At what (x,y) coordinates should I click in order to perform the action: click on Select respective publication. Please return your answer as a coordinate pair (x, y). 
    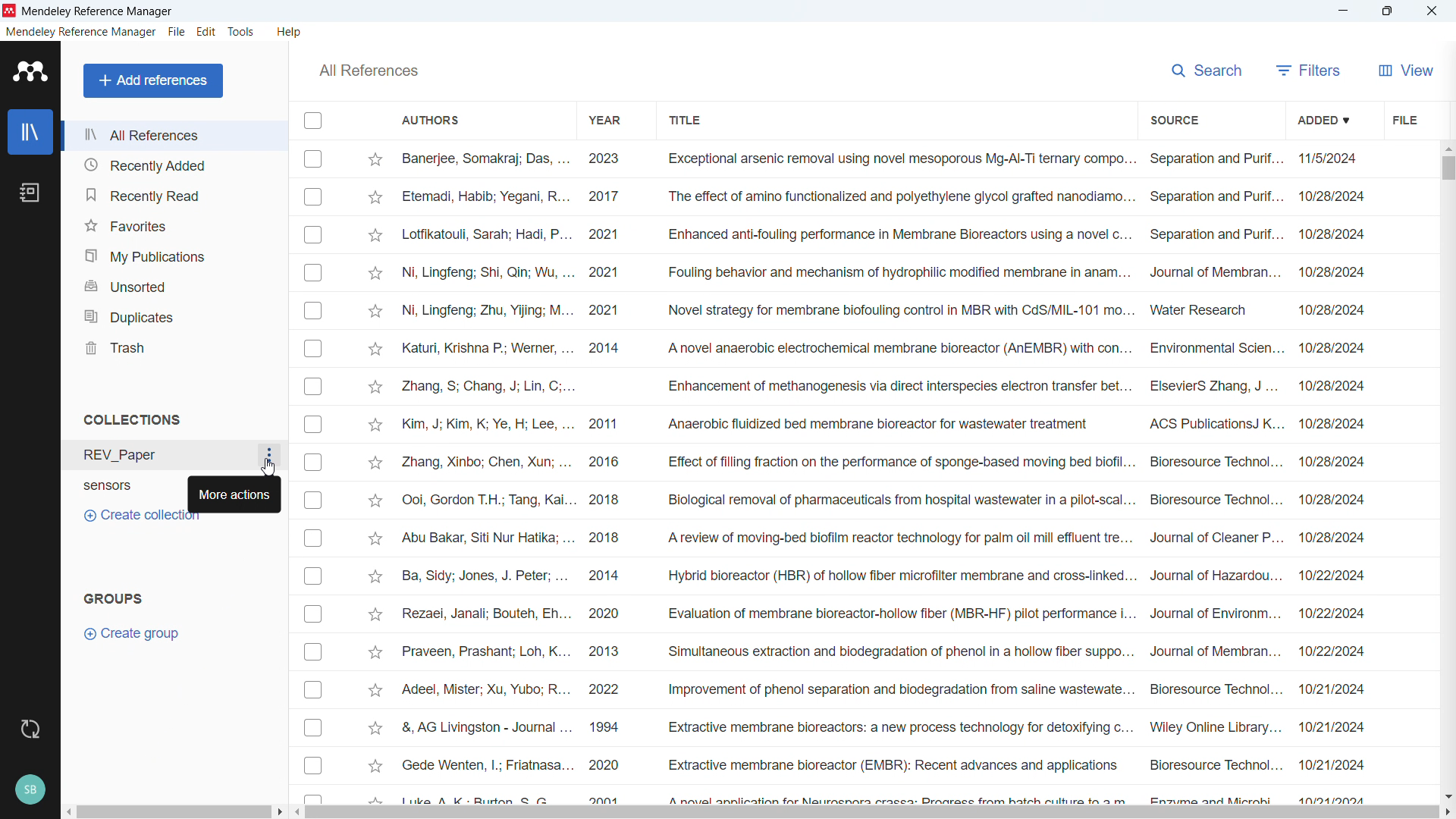
    Looking at the image, I should click on (313, 234).